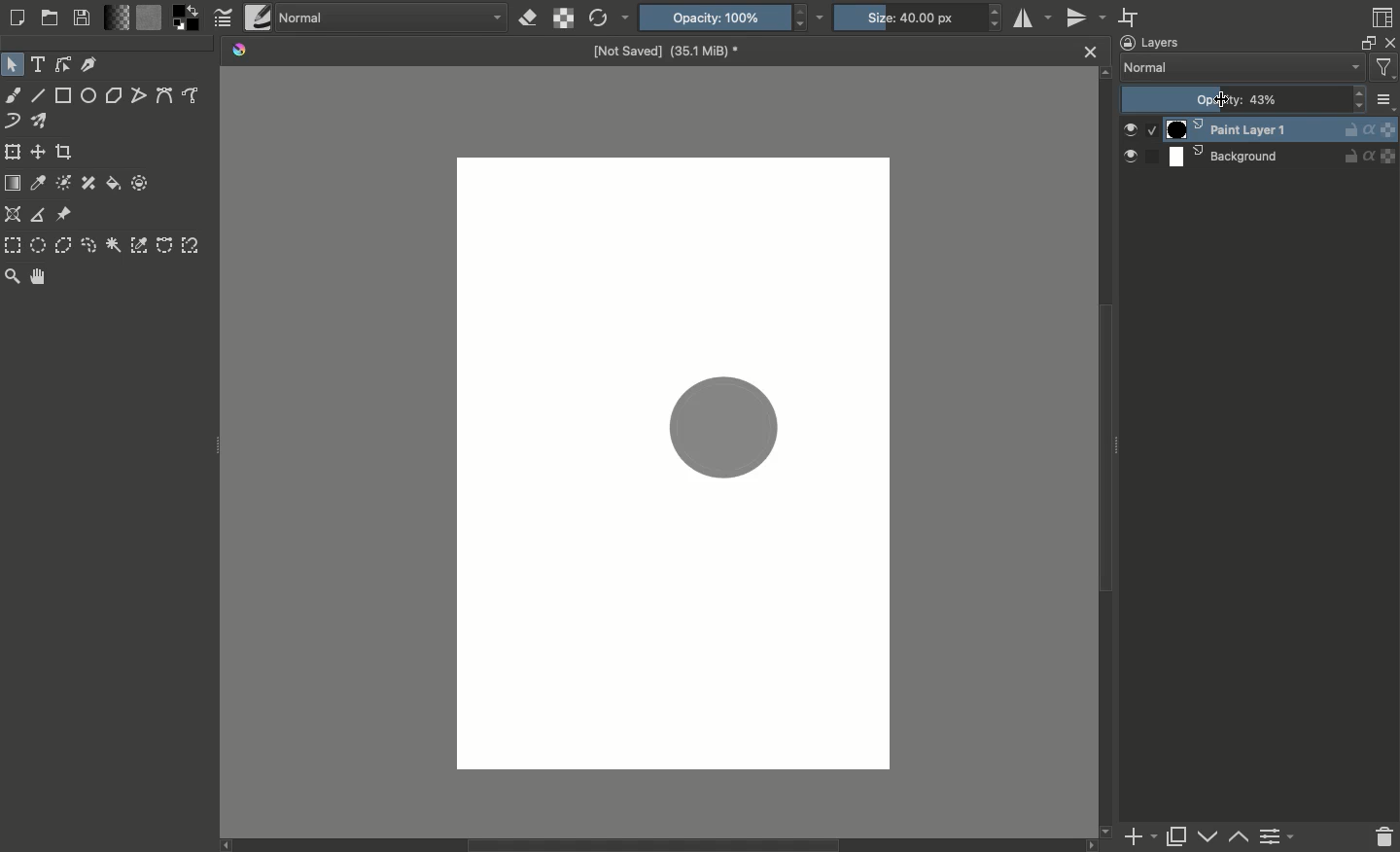 The width and height of the screenshot is (1400, 852). Describe the element at coordinates (530, 18) in the screenshot. I see `Erase mode` at that location.